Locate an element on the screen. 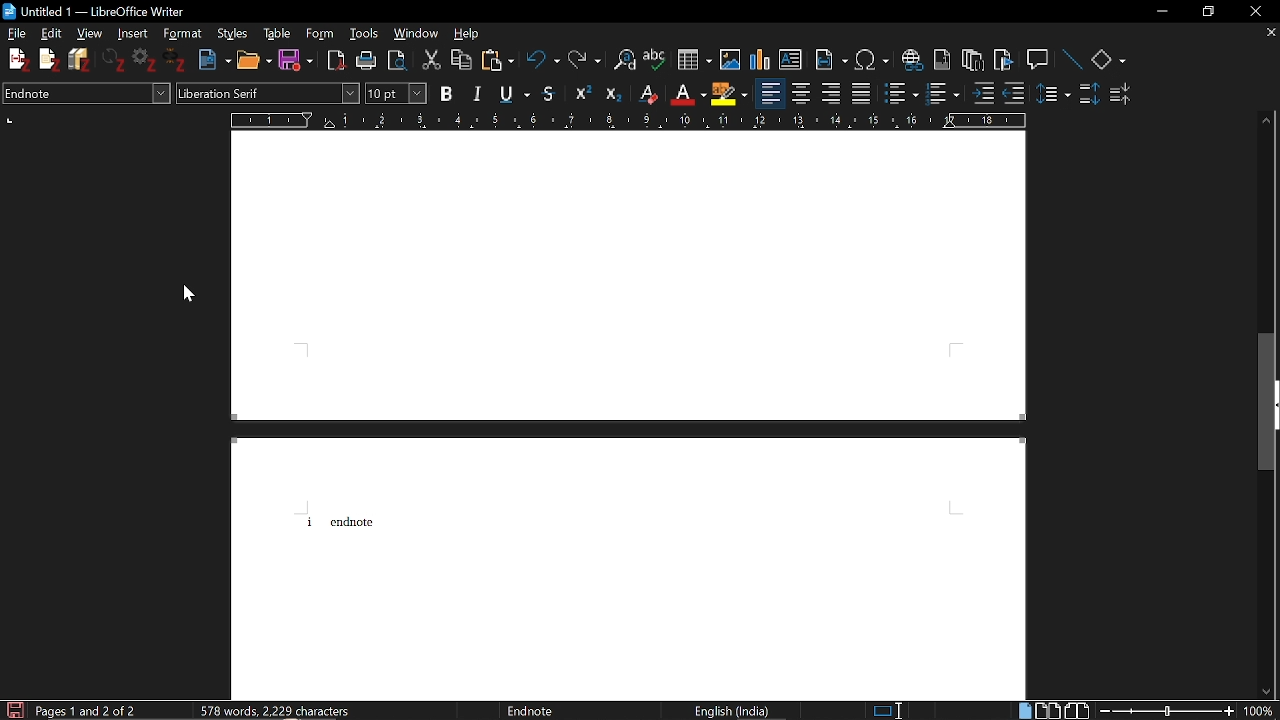 This screenshot has height=720, width=1280. english (india) is located at coordinates (721, 710).